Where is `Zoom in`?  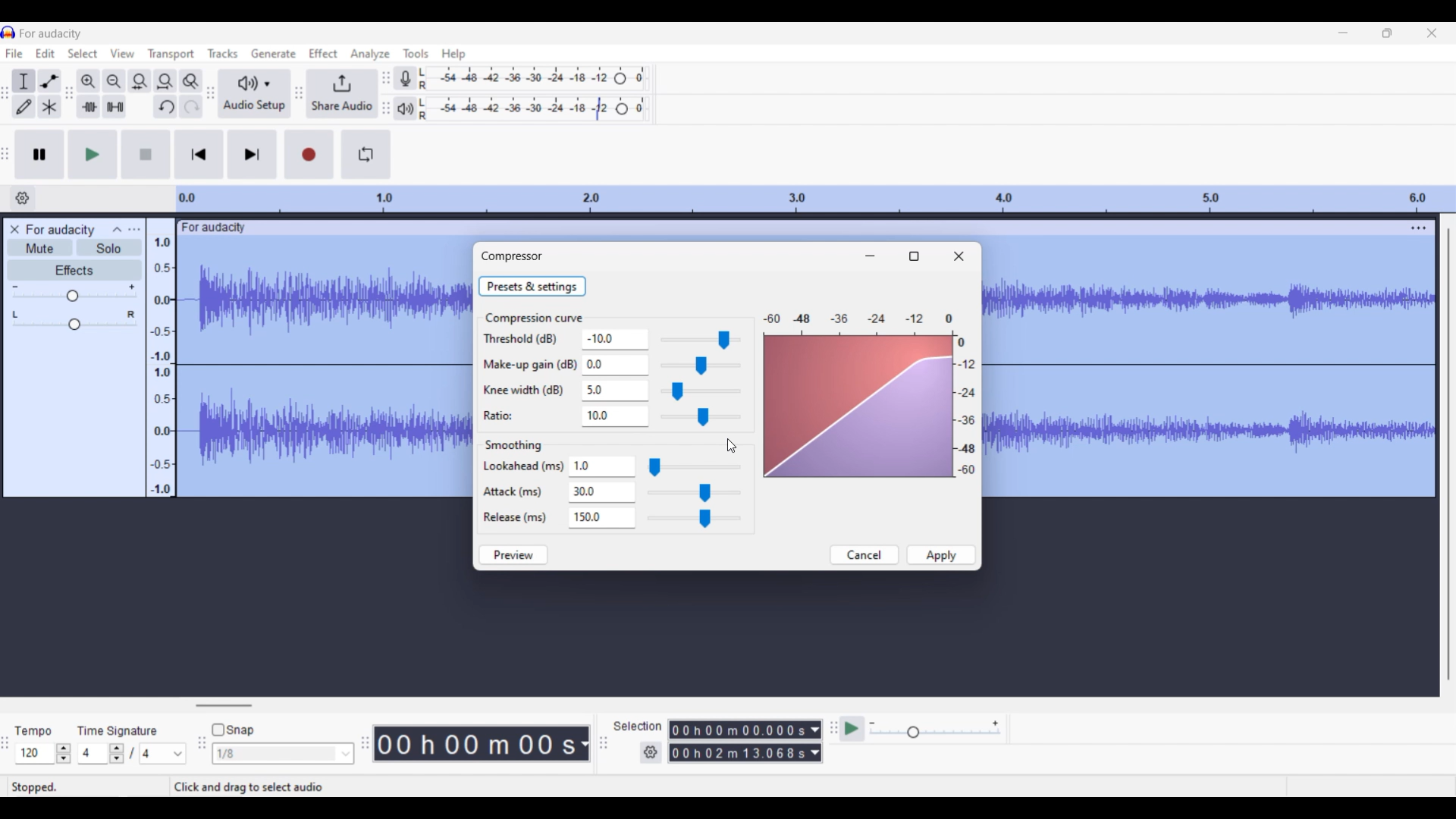
Zoom in is located at coordinates (89, 81).